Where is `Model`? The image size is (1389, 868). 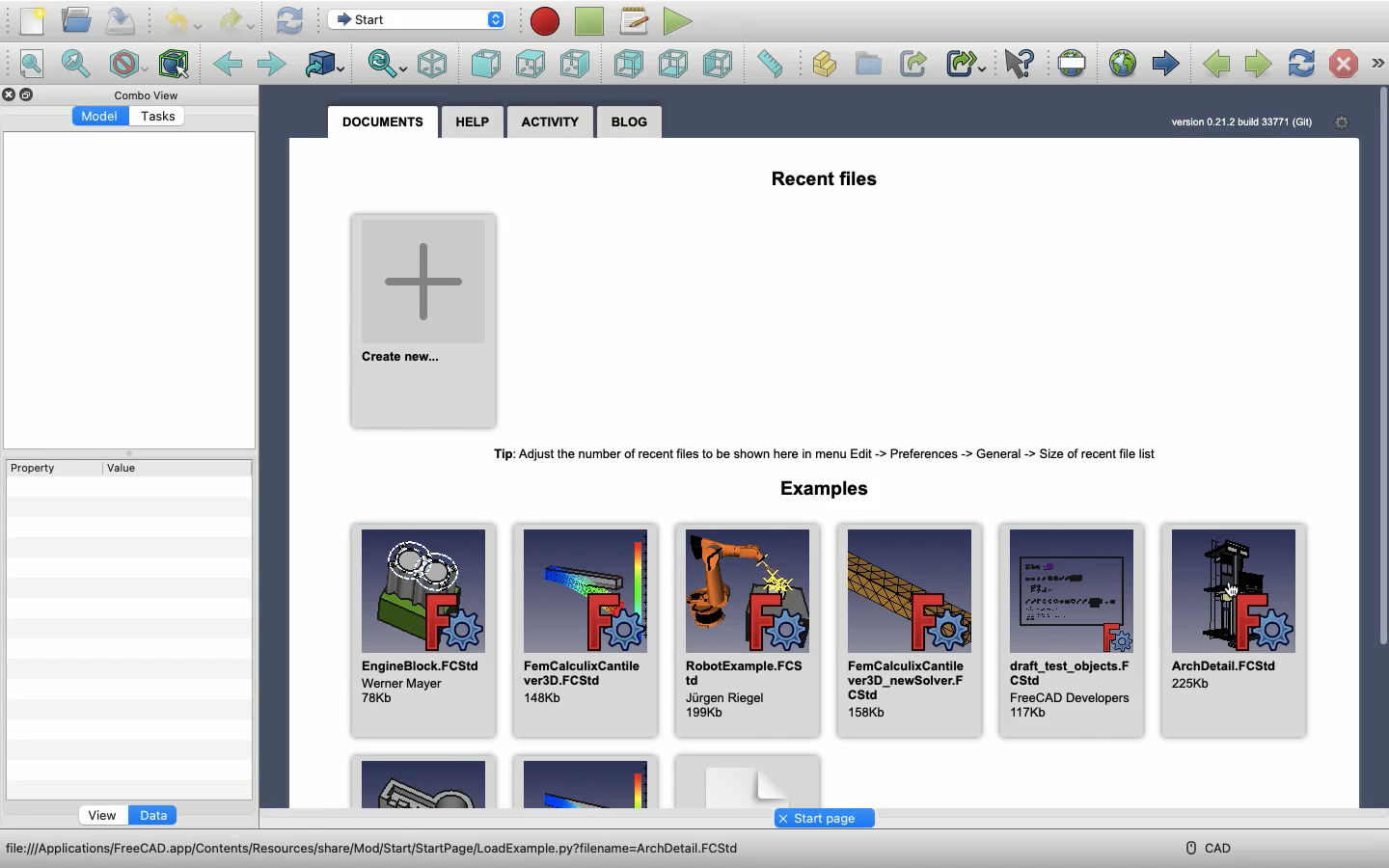
Model is located at coordinates (98, 116).